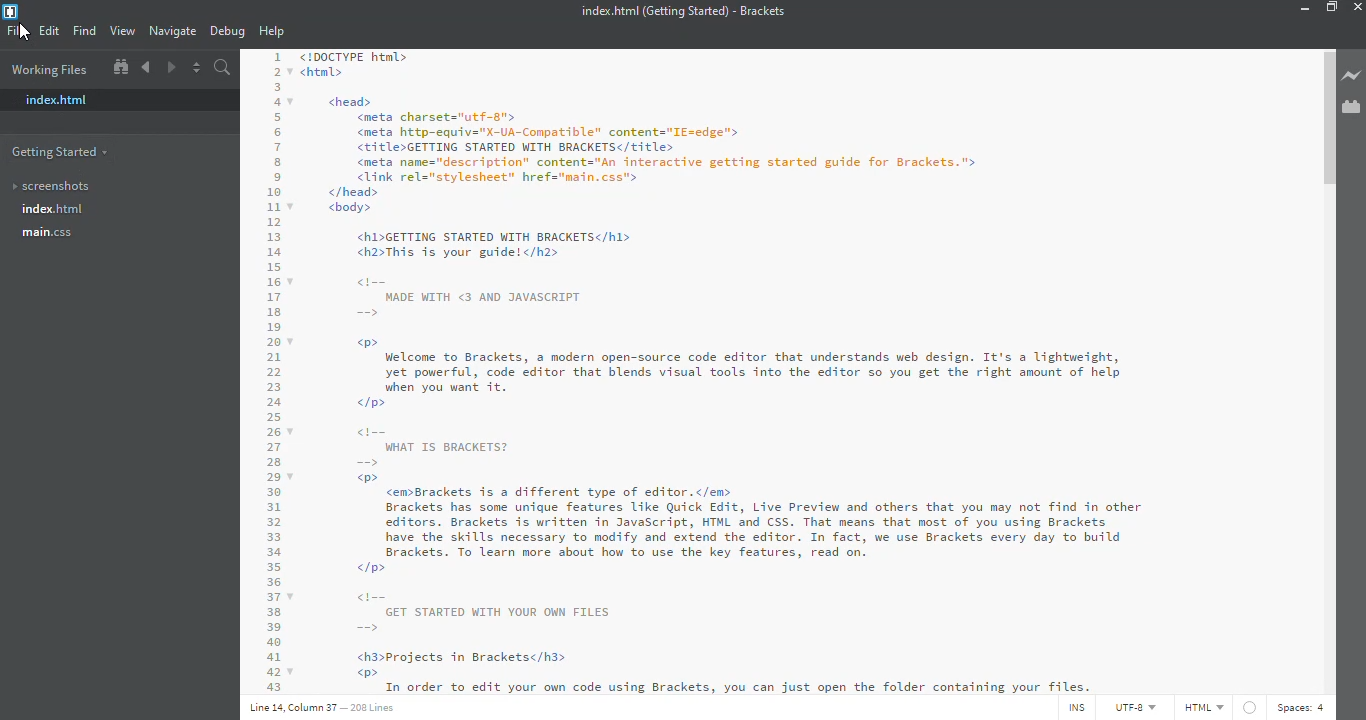 The width and height of the screenshot is (1366, 720). Describe the element at coordinates (146, 67) in the screenshot. I see `go back` at that location.